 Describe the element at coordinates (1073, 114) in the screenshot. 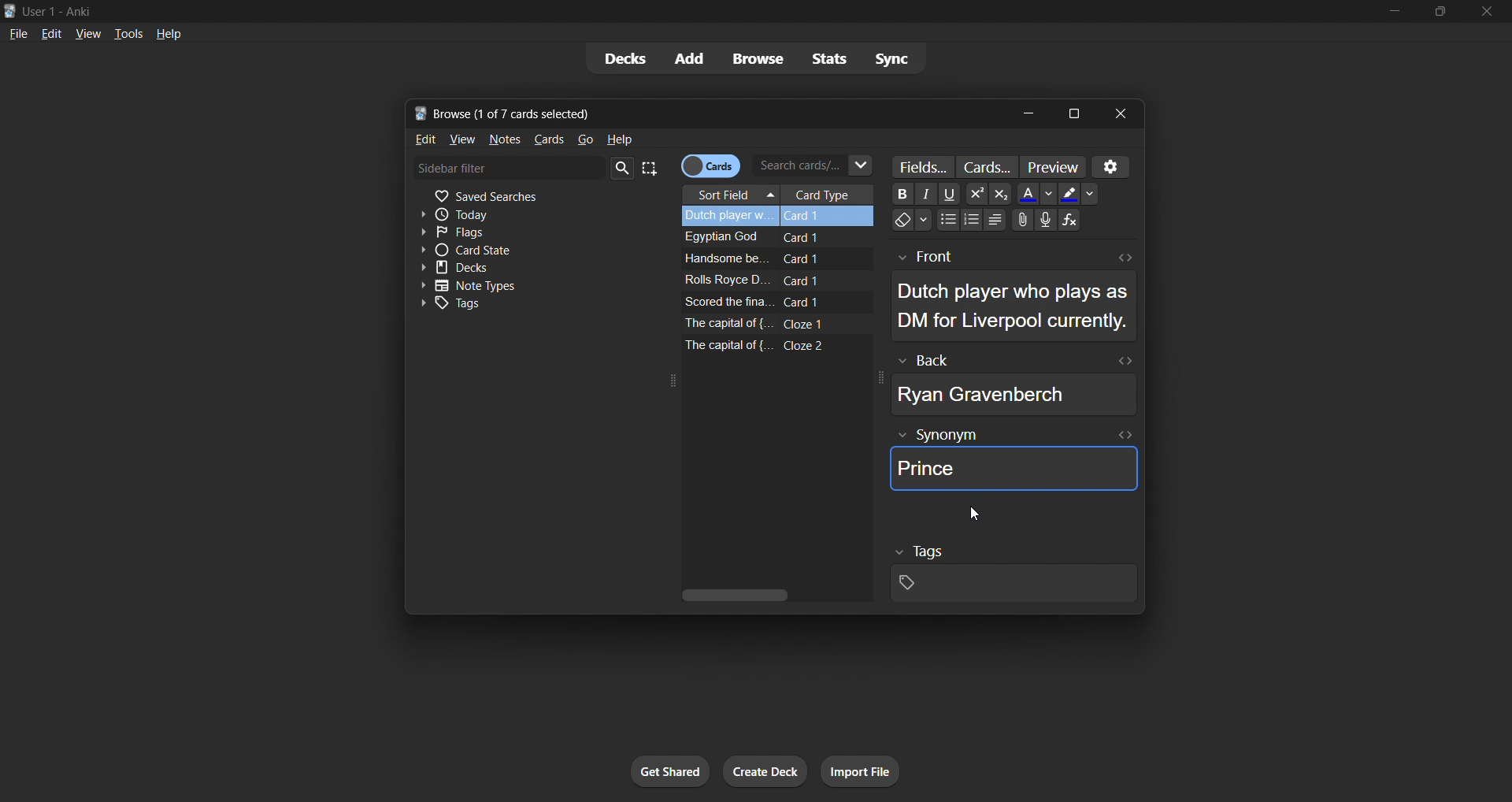

I see `maximize` at that location.